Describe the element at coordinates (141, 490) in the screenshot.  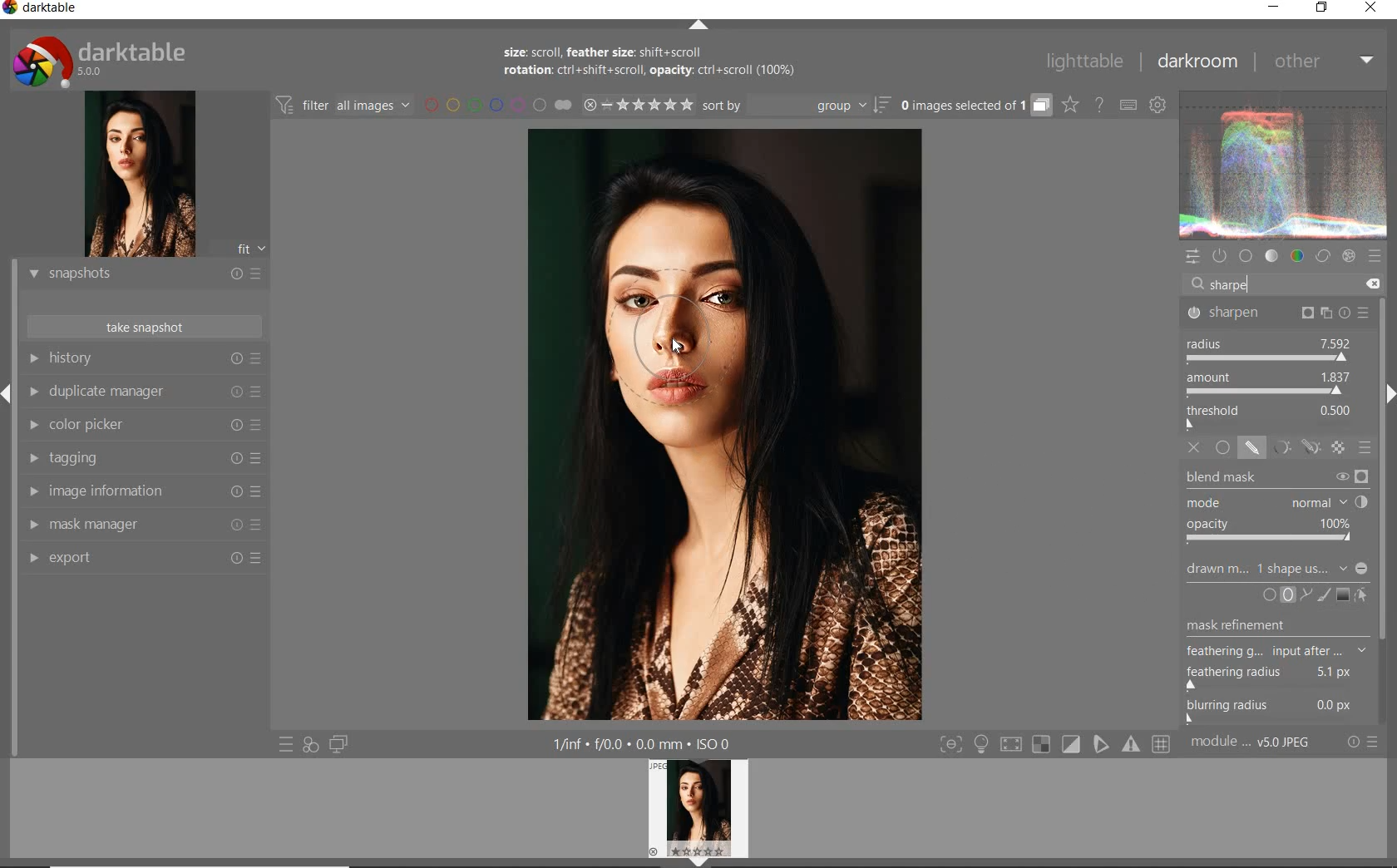
I see `IMAGE INFORMATION` at that location.